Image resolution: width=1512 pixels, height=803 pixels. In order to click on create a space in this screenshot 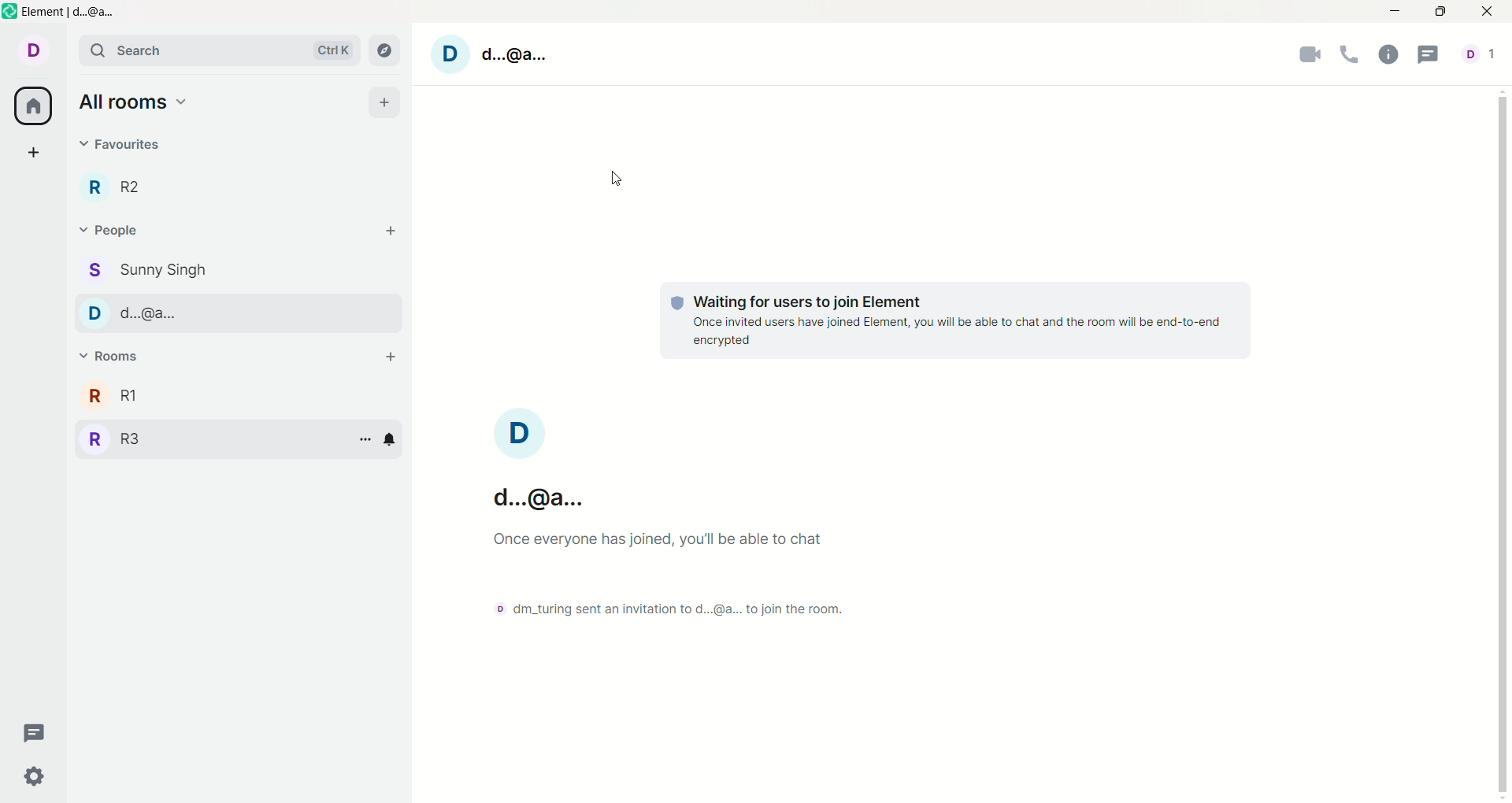, I will do `click(35, 151)`.